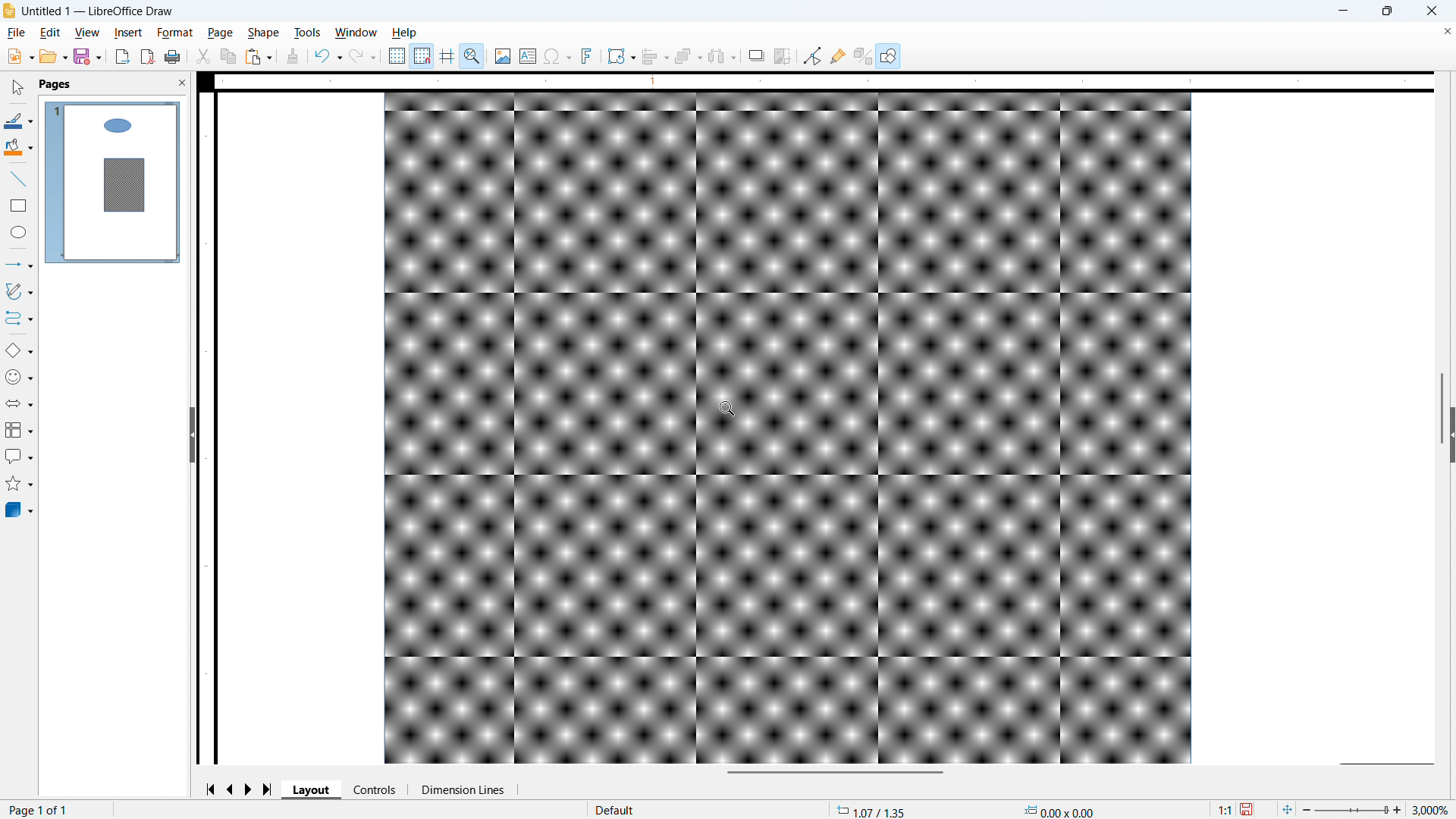 The width and height of the screenshot is (1456, 819). I want to click on Guidelines while moving , so click(447, 55).